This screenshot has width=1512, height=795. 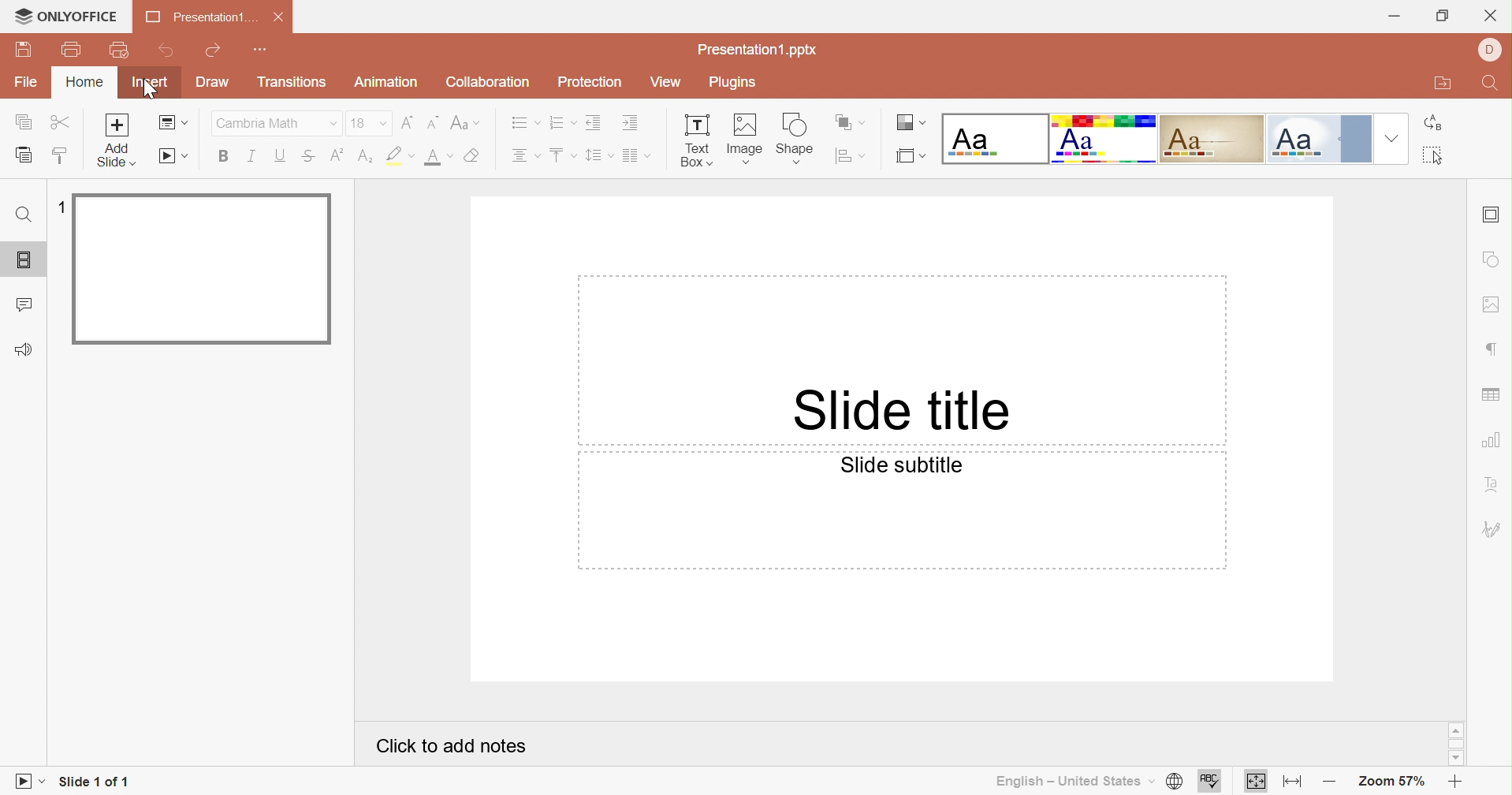 What do you see at coordinates (1494, 84) in the screenshot?
I see `Find` at bounding box center [1494, 84].